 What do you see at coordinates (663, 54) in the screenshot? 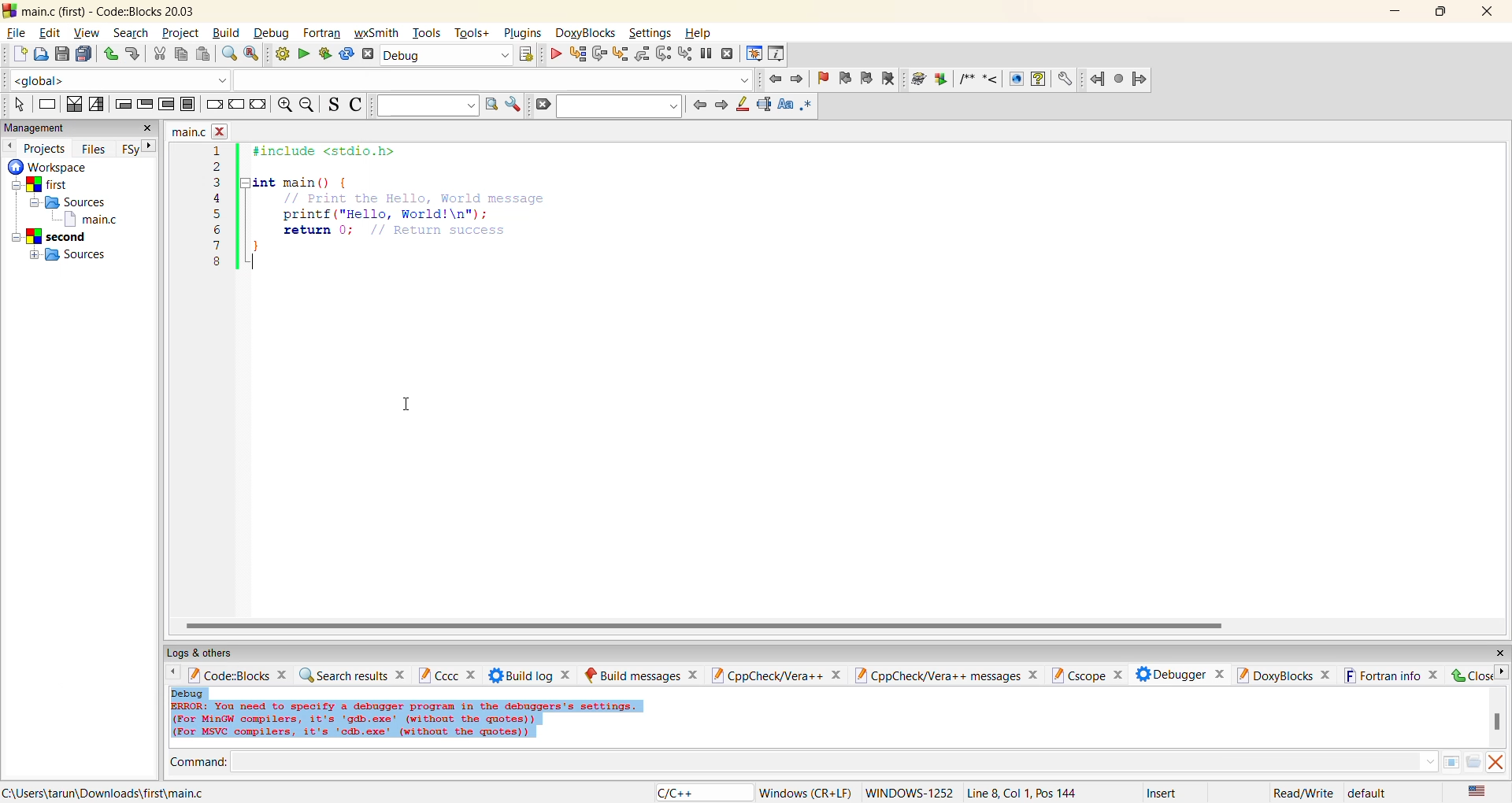
I see `next instruction` at bounding box center [663, 54].